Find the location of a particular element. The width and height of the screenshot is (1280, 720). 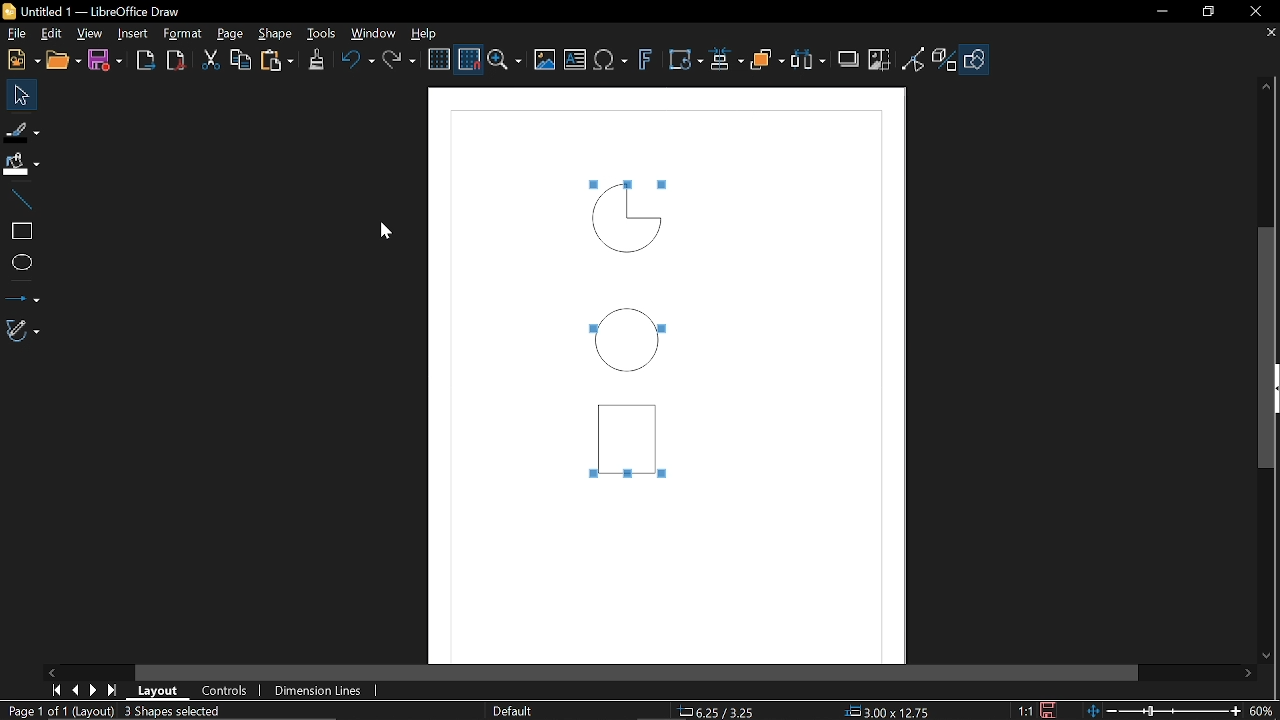

slide Master name is located at coordinates (514, 710).